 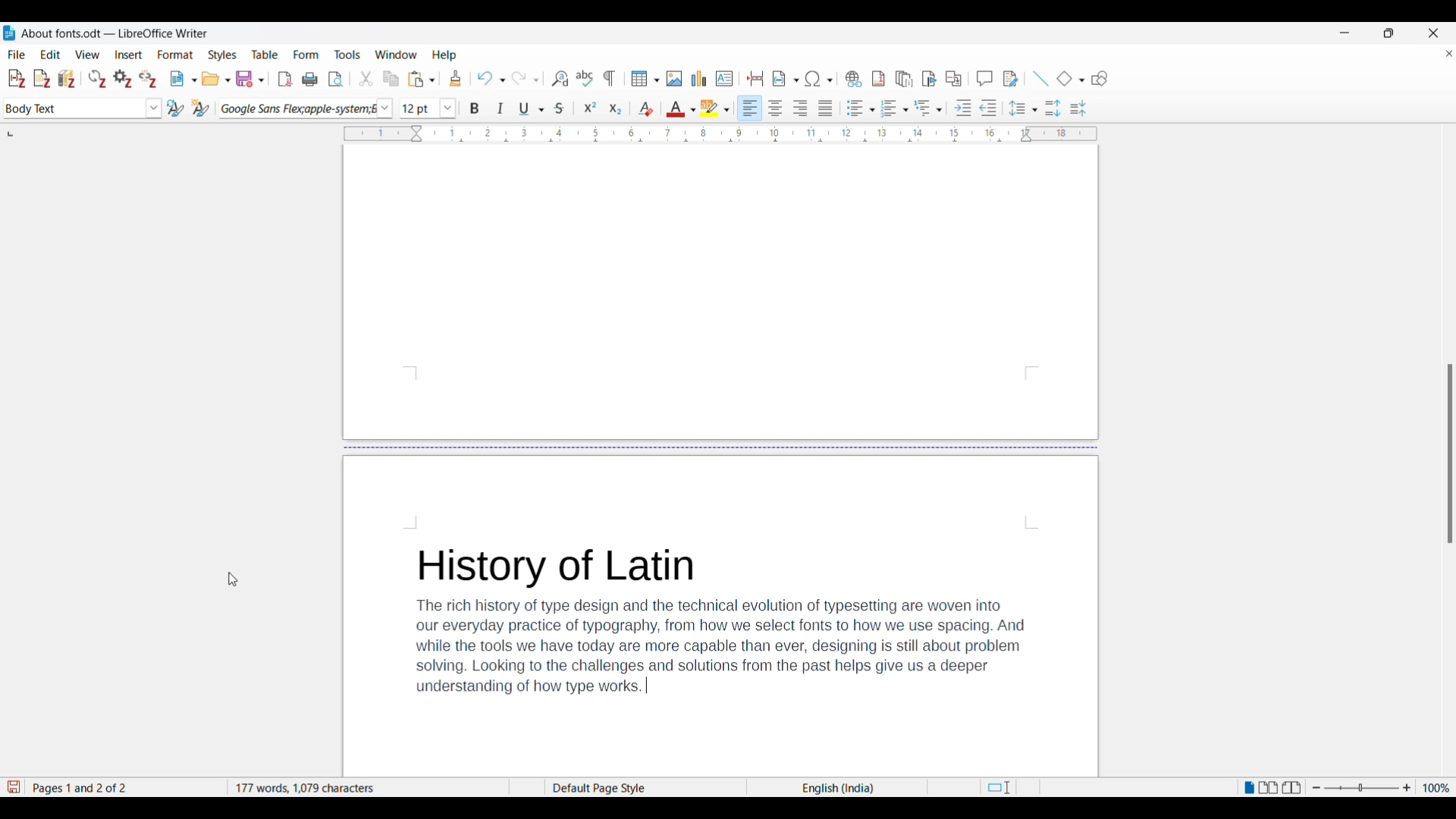 What do you see at coordinates (337, 80) in the screenshot?
I see `Toggle print preview` at bounding box center [337, 80].